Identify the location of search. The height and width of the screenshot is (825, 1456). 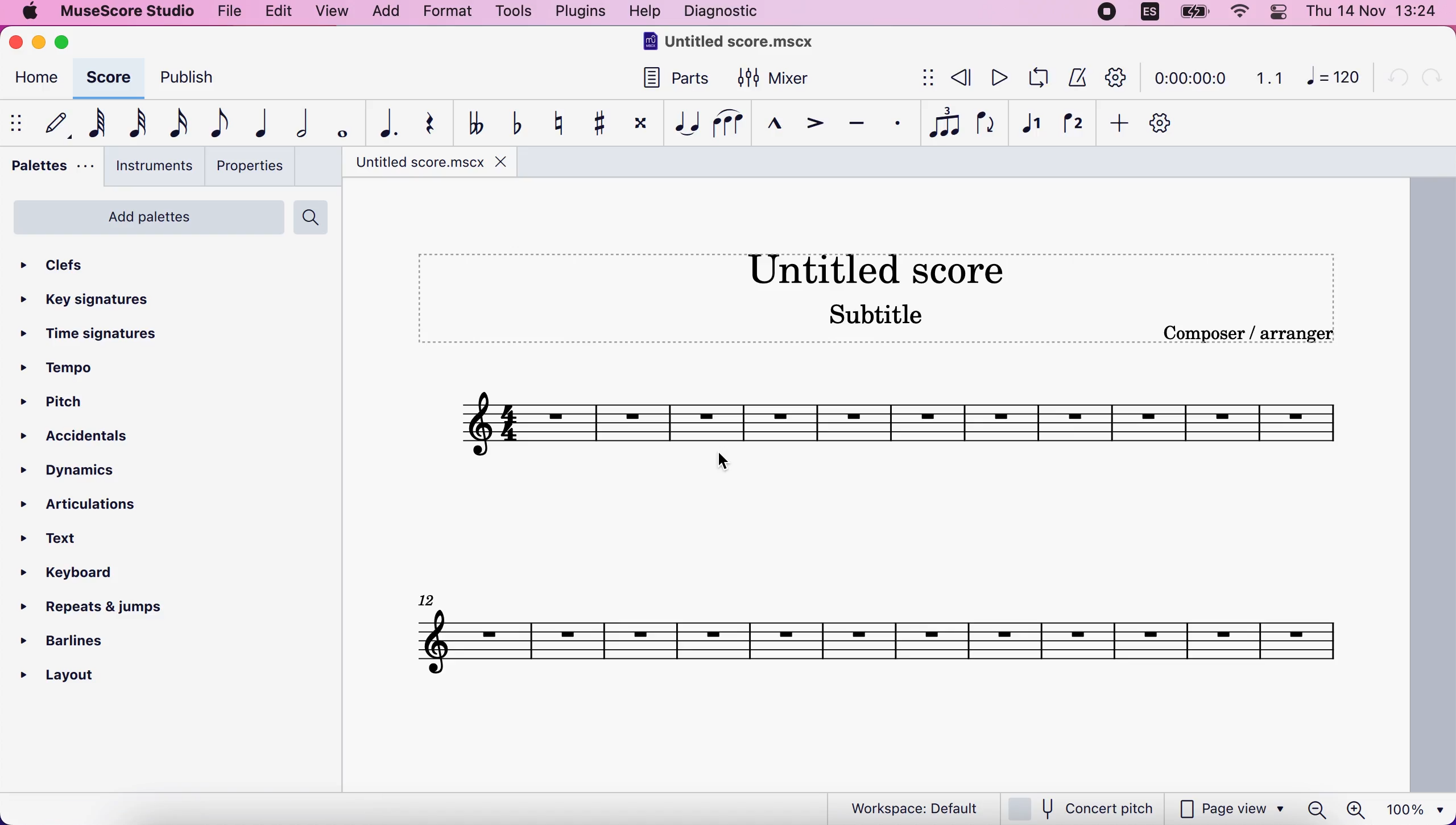
(318, 218).